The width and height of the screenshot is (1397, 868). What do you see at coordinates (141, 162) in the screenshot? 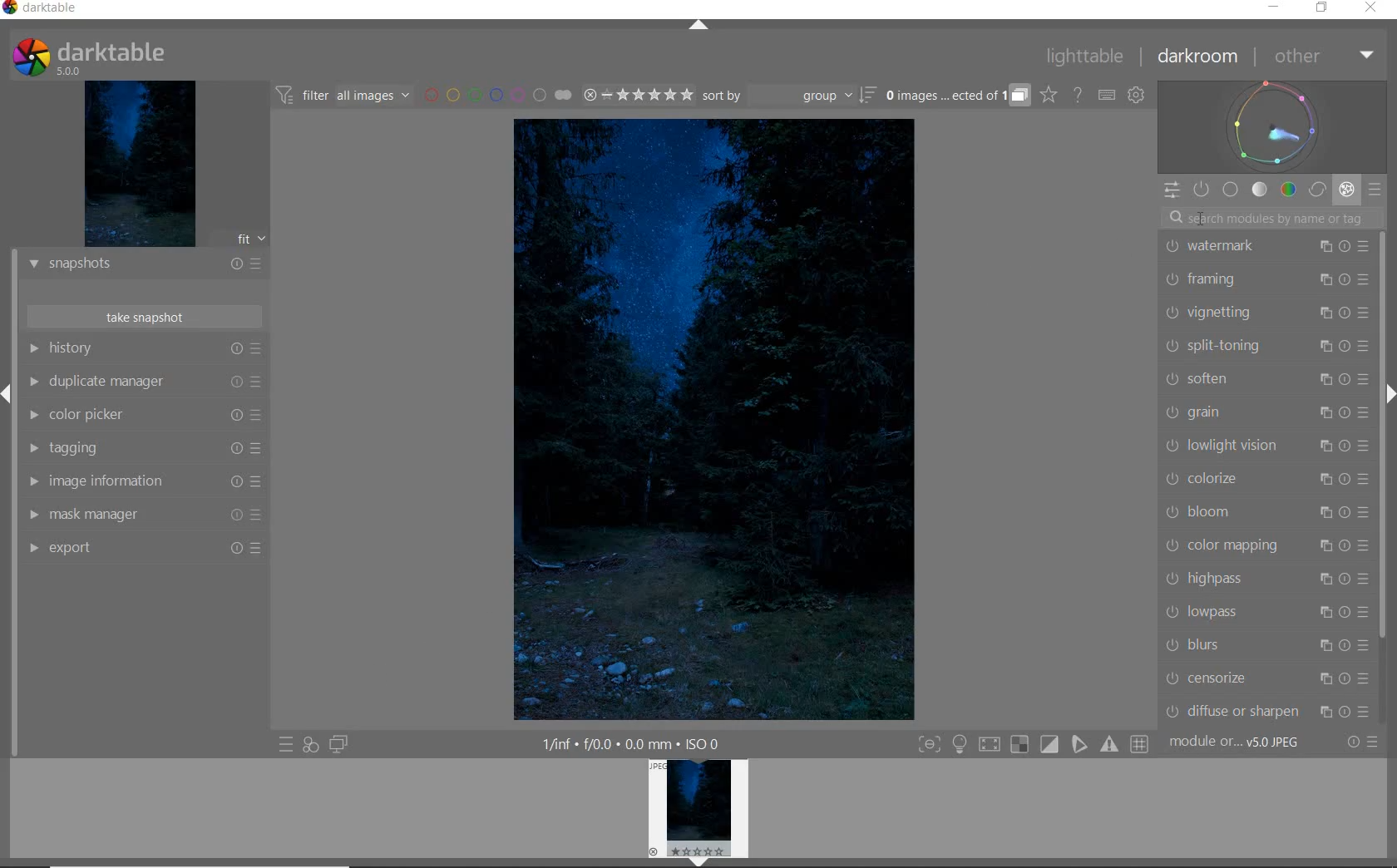
I see `IMAGE PREVIEW` at bounding box center [141, 162].